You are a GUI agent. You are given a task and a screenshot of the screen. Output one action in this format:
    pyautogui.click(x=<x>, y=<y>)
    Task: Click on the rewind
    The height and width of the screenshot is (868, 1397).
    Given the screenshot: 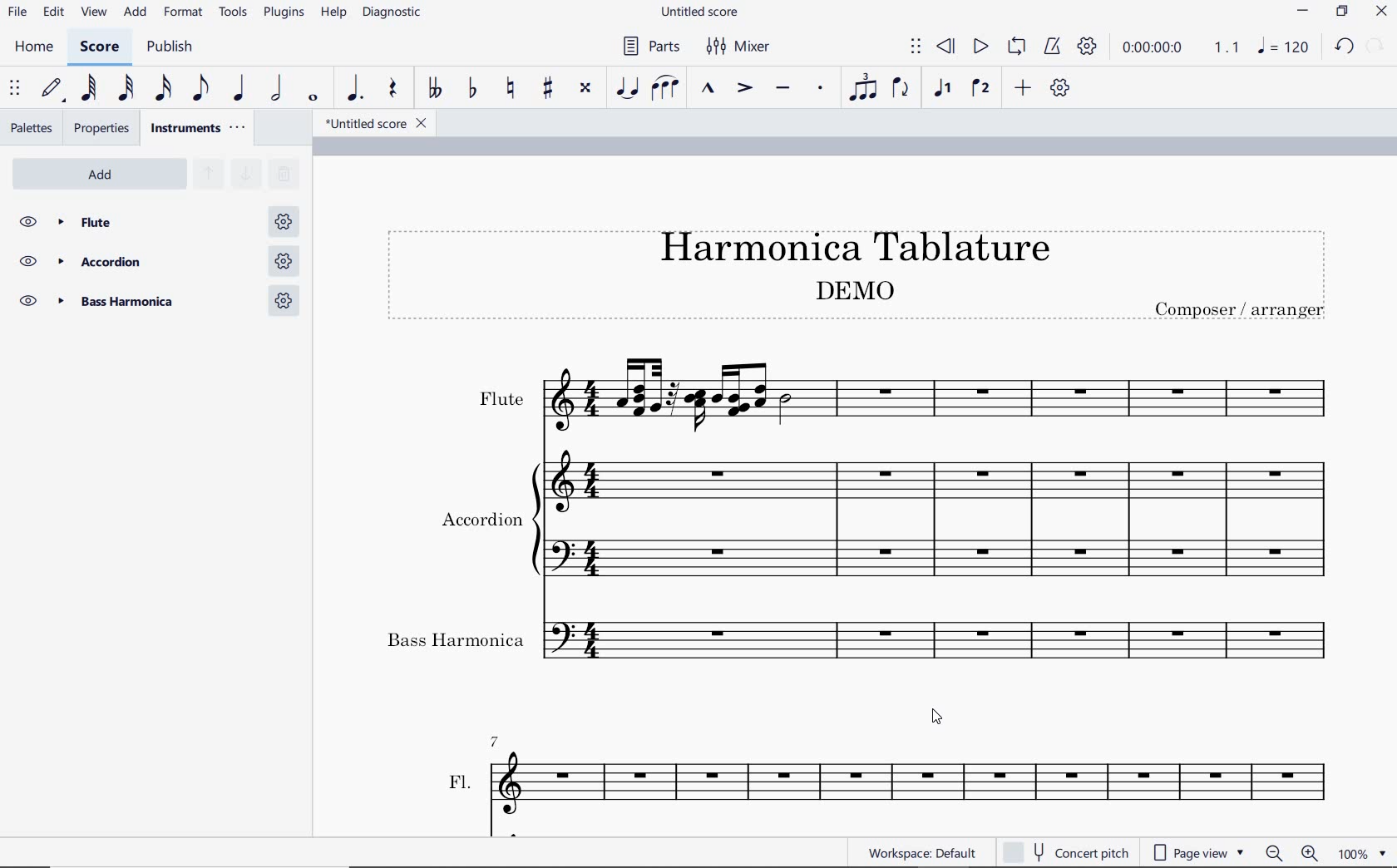 What is the action you would take?
    pyautogui.click(x=949, y=47)
    